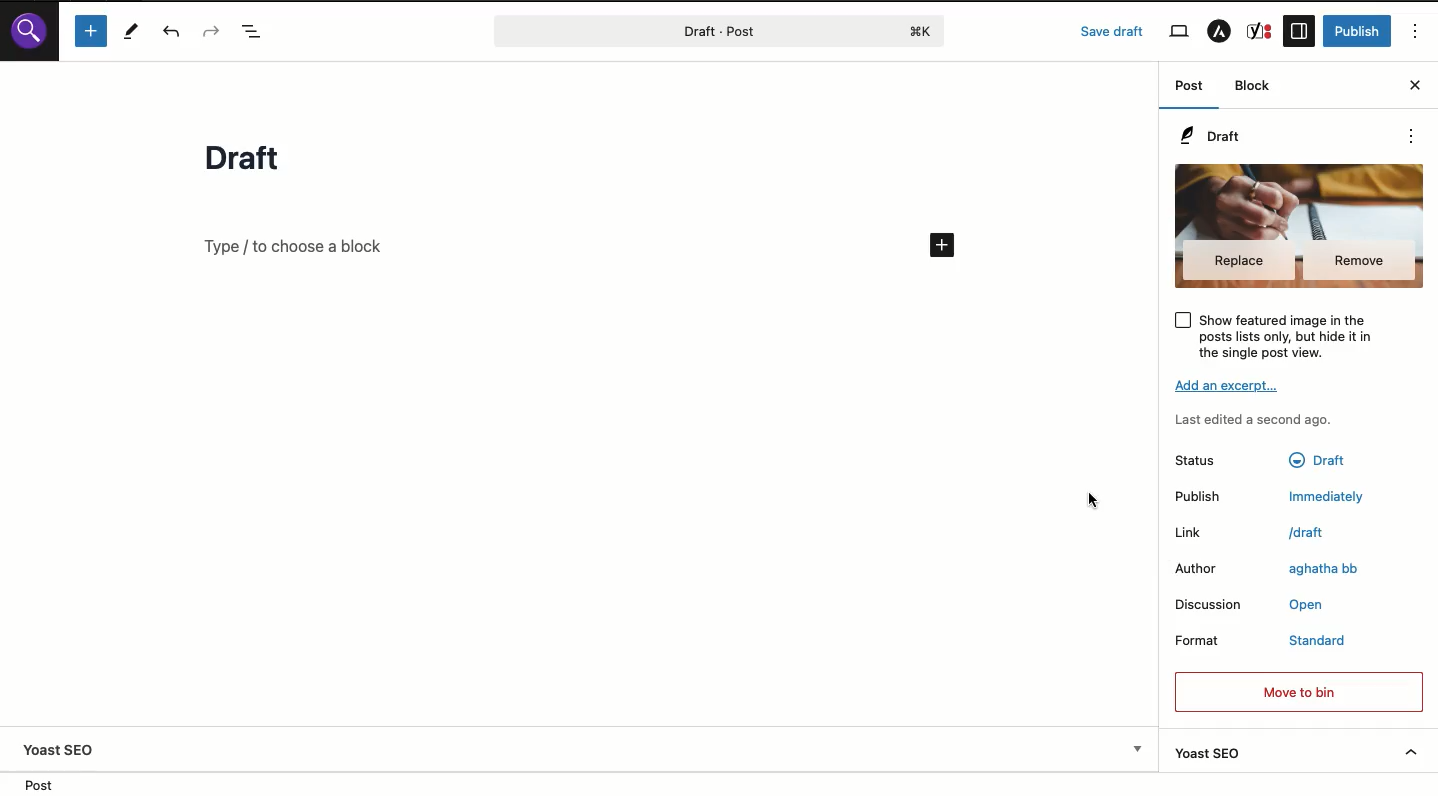 This screenshot has height=796, width=1438. Describe the element at coordinates (60, 749) in the screenshot. I see `Yoast SEO` at that location.